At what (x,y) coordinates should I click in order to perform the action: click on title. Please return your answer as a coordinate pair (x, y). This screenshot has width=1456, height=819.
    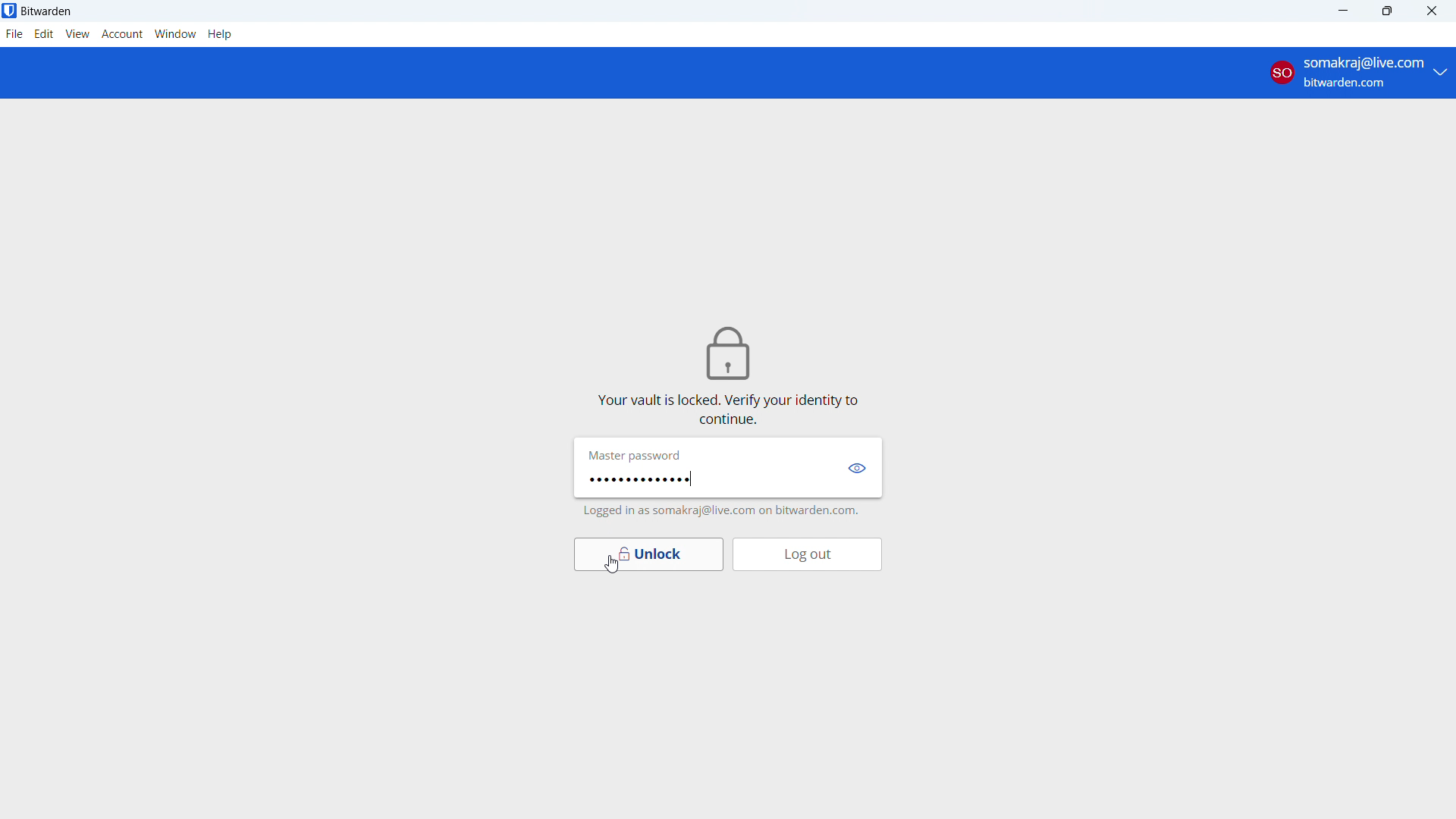
    Looking at the image, I should click on (47, 11).